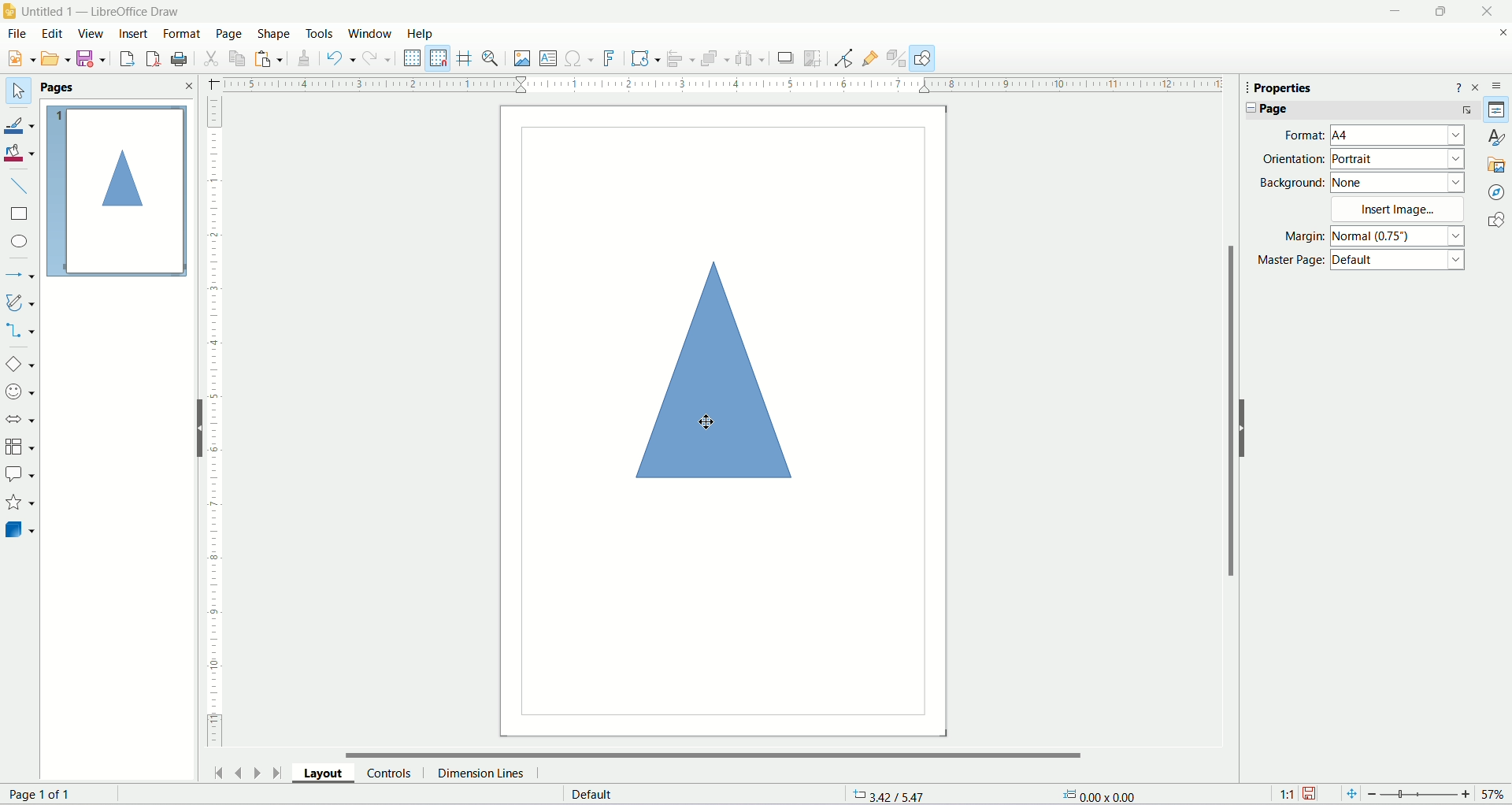  I want to click on Gallery, so click(1497, 163).